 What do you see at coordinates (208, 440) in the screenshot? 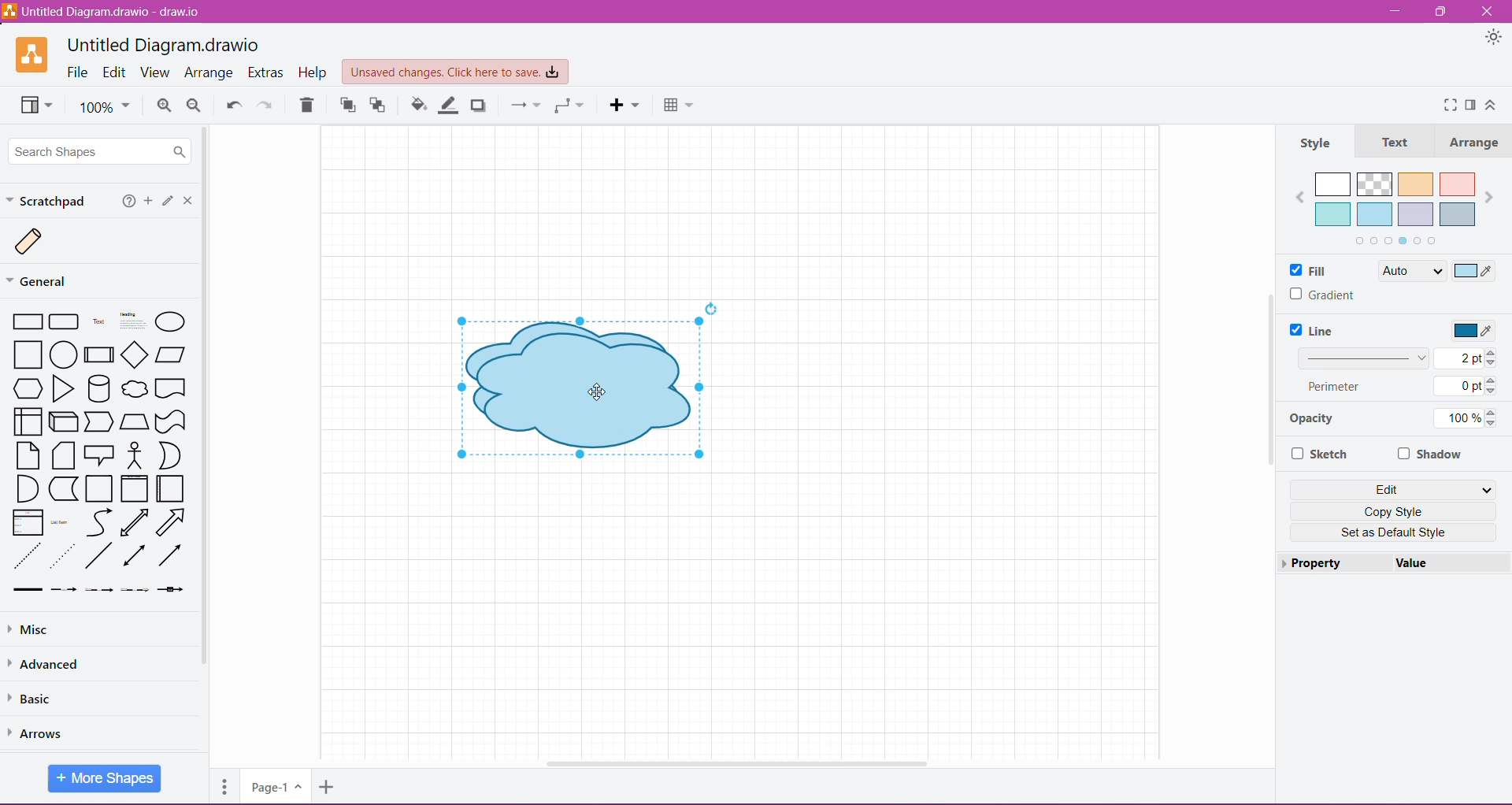
I see `Vertical Scroll Bar` at bounding box center [208, 440].